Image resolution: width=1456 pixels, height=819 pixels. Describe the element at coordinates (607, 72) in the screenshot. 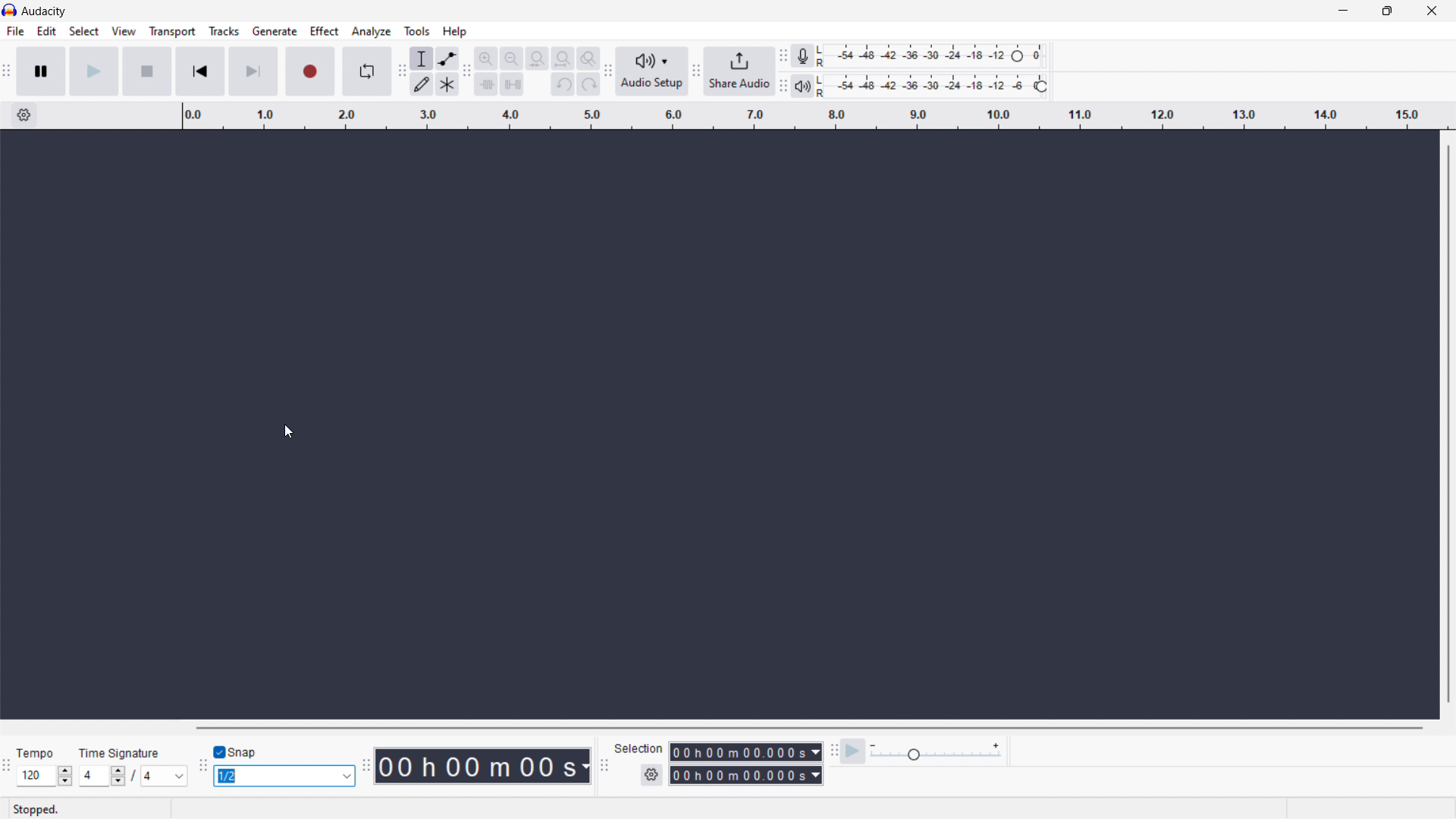

I see `audio setup toolbar` at that location.